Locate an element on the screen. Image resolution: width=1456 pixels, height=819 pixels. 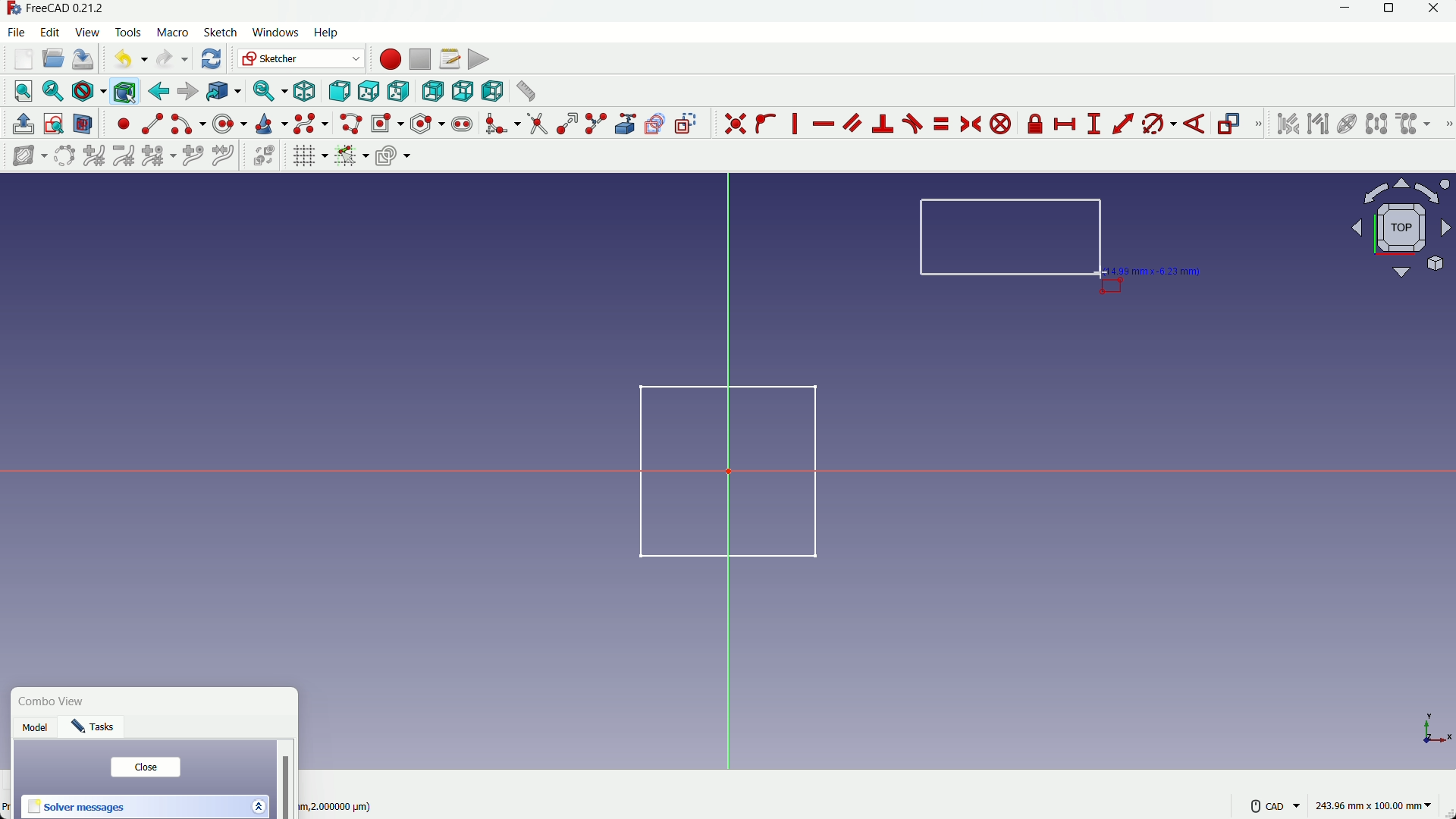
constraint distance is located at coordinates (1123, 124).